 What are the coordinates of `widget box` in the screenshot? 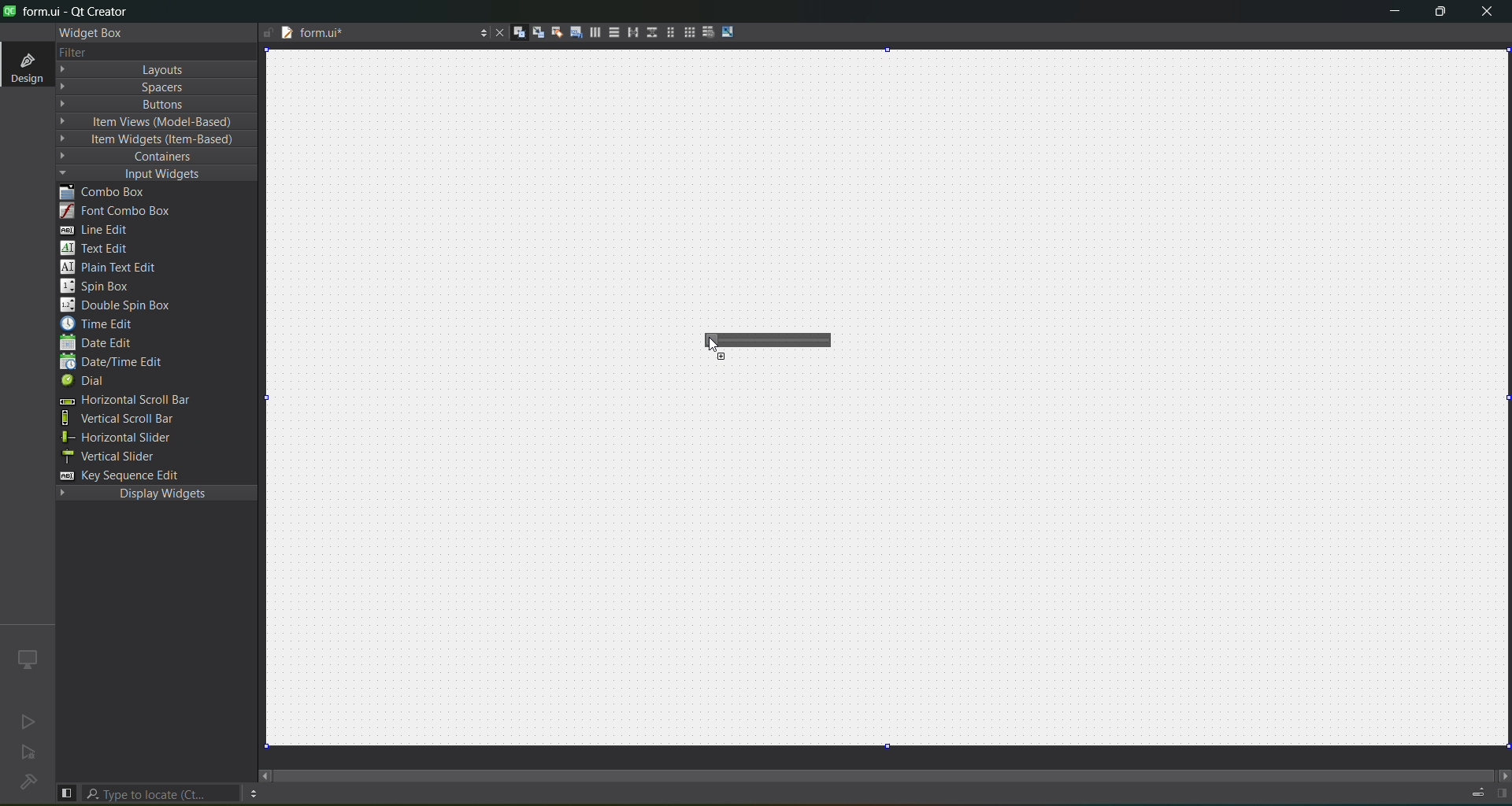 It's located at (92, 33).